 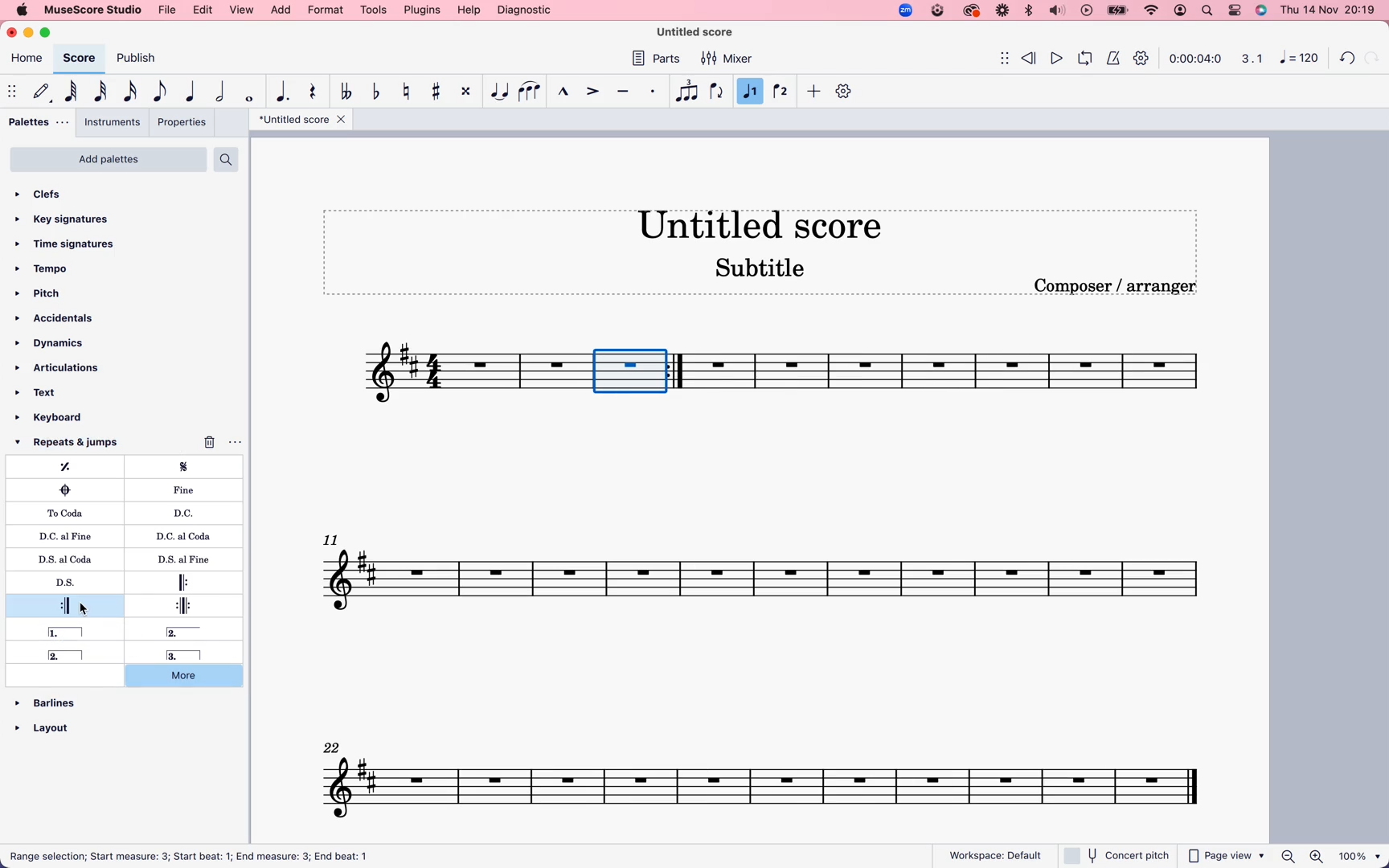 I want to click on bluetooth, so click(x=1027, y=11).